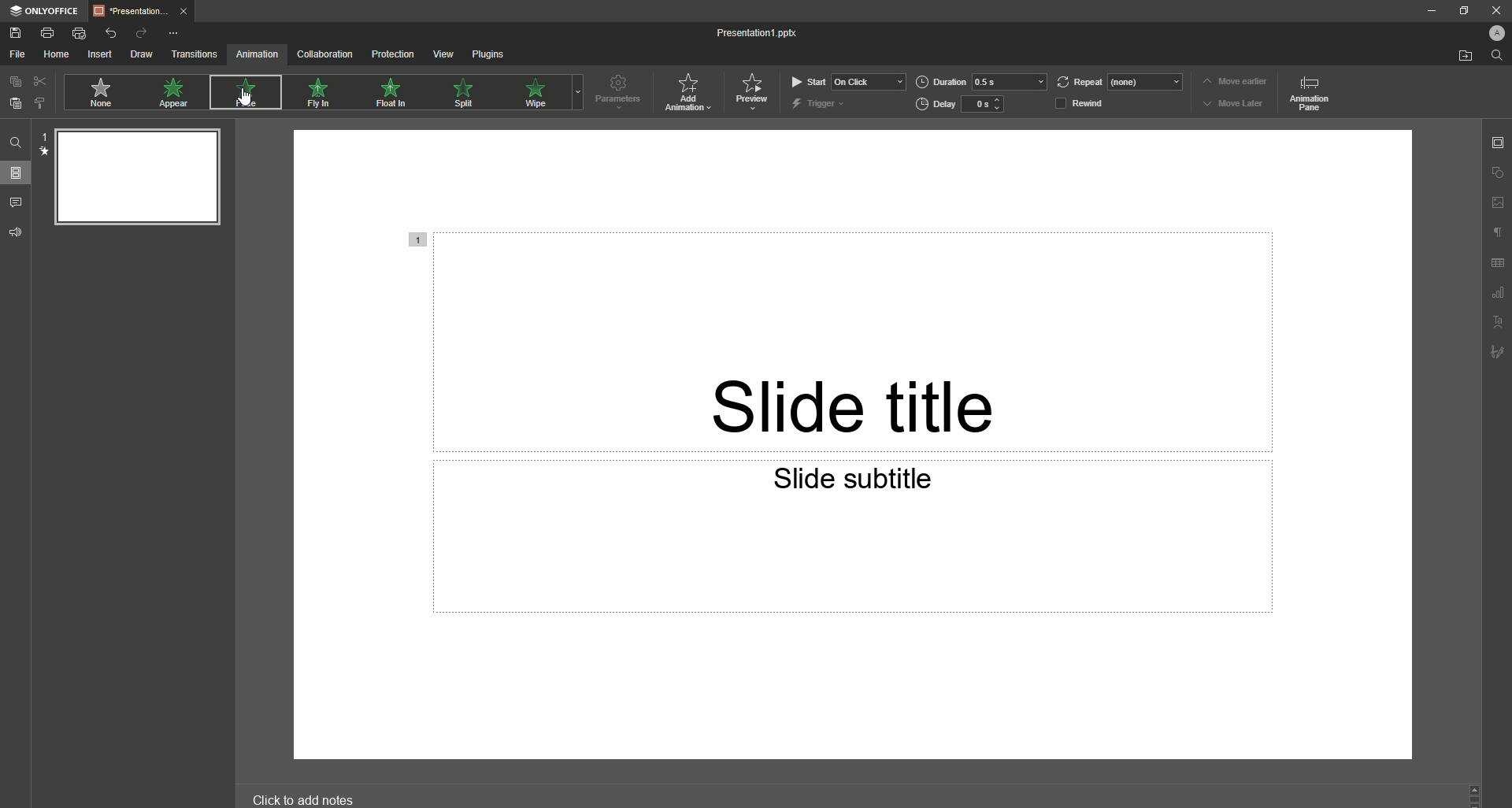 This screenshot has width=1512, height=808. What do you see at coordinates (758, 32) in the screenshot?
I see `Presentation1` at bounding box center [758, 32].